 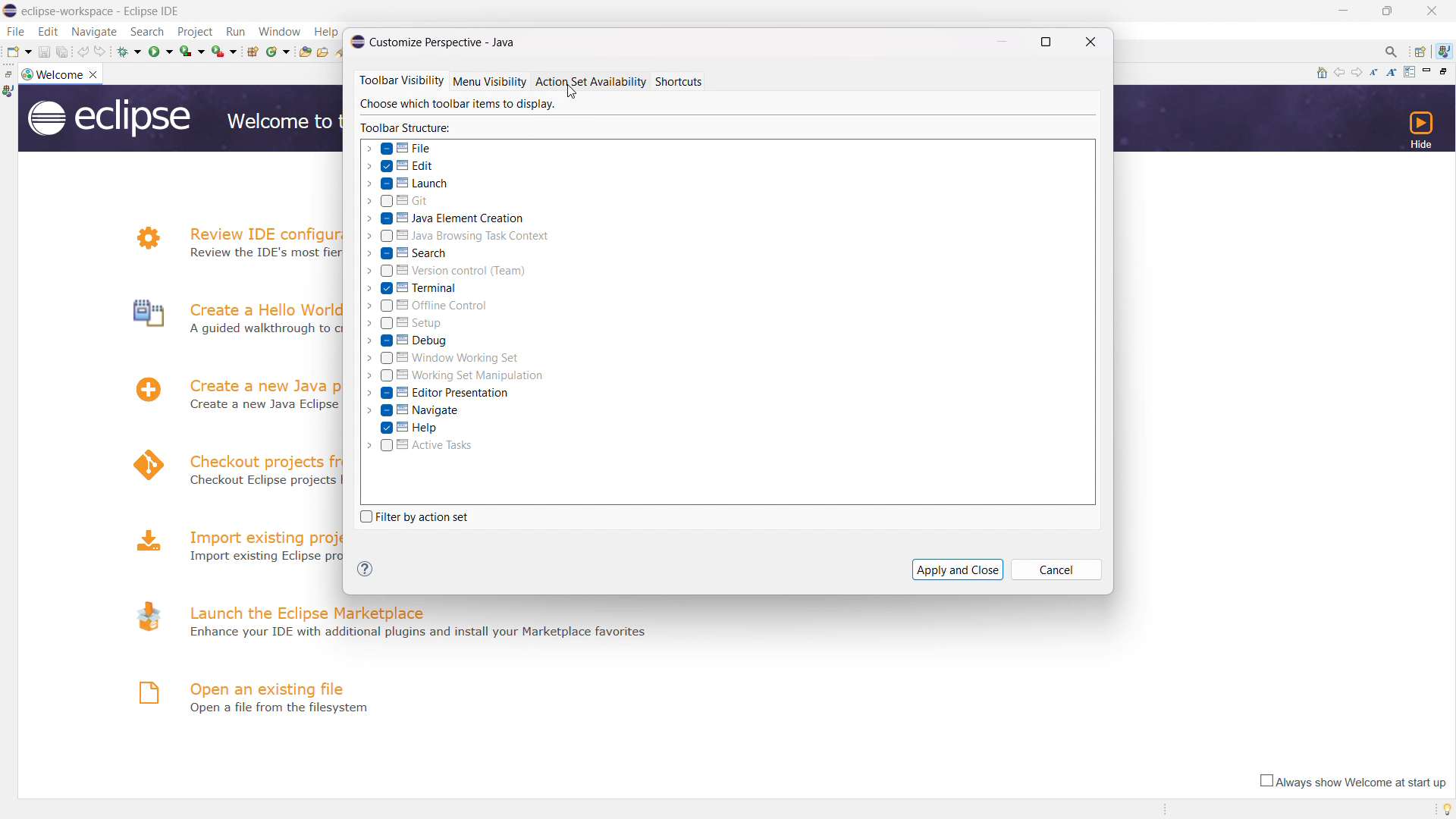 What do you see at coordinates (573, 93) in the screenshot?
I see `cursor` at bounding box center [573, 93].